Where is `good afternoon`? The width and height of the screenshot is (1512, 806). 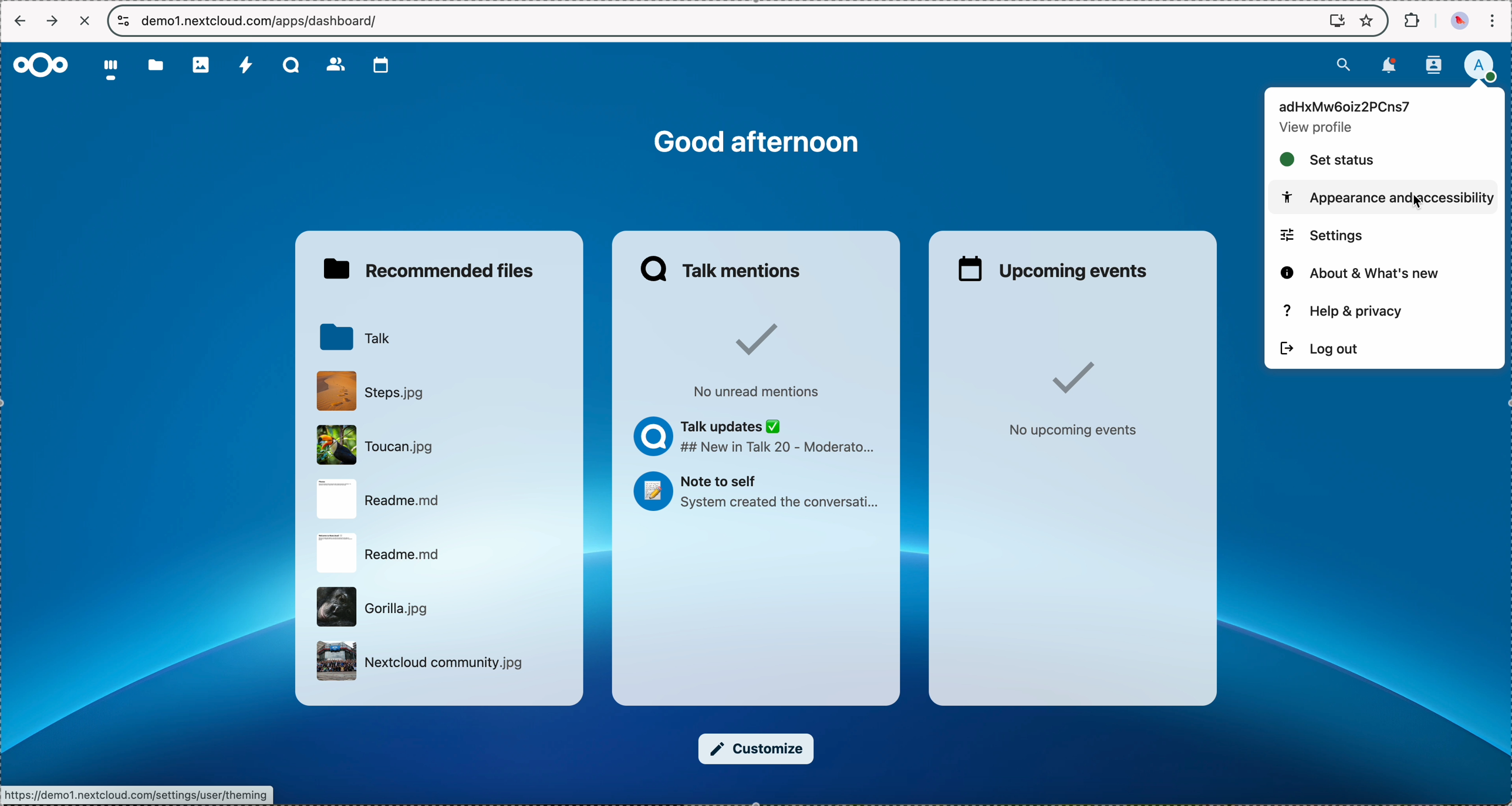
good afternoon is located at coordinates (761, 143).